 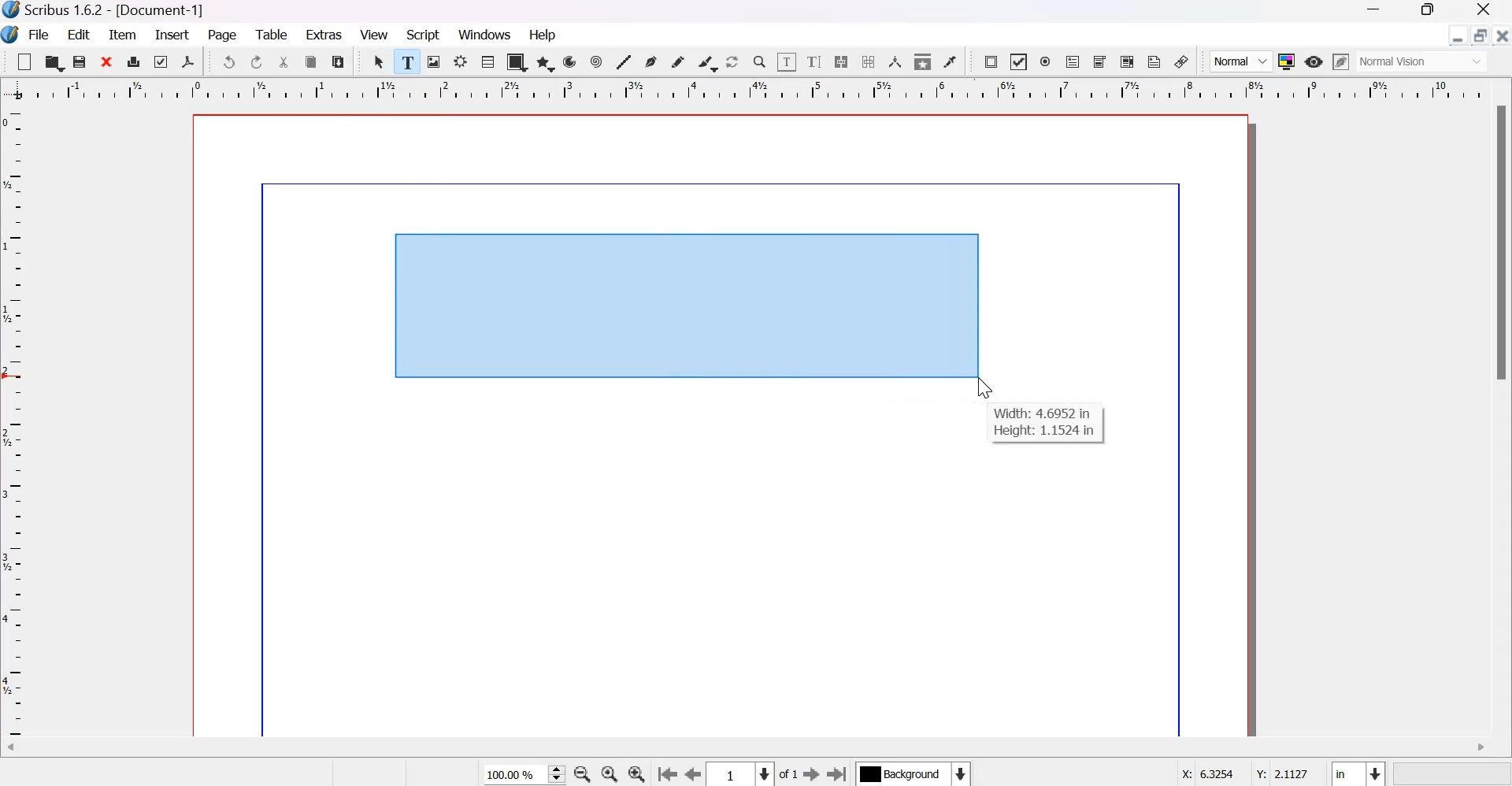 I want to click on polygon, so click(x=547, y=63).